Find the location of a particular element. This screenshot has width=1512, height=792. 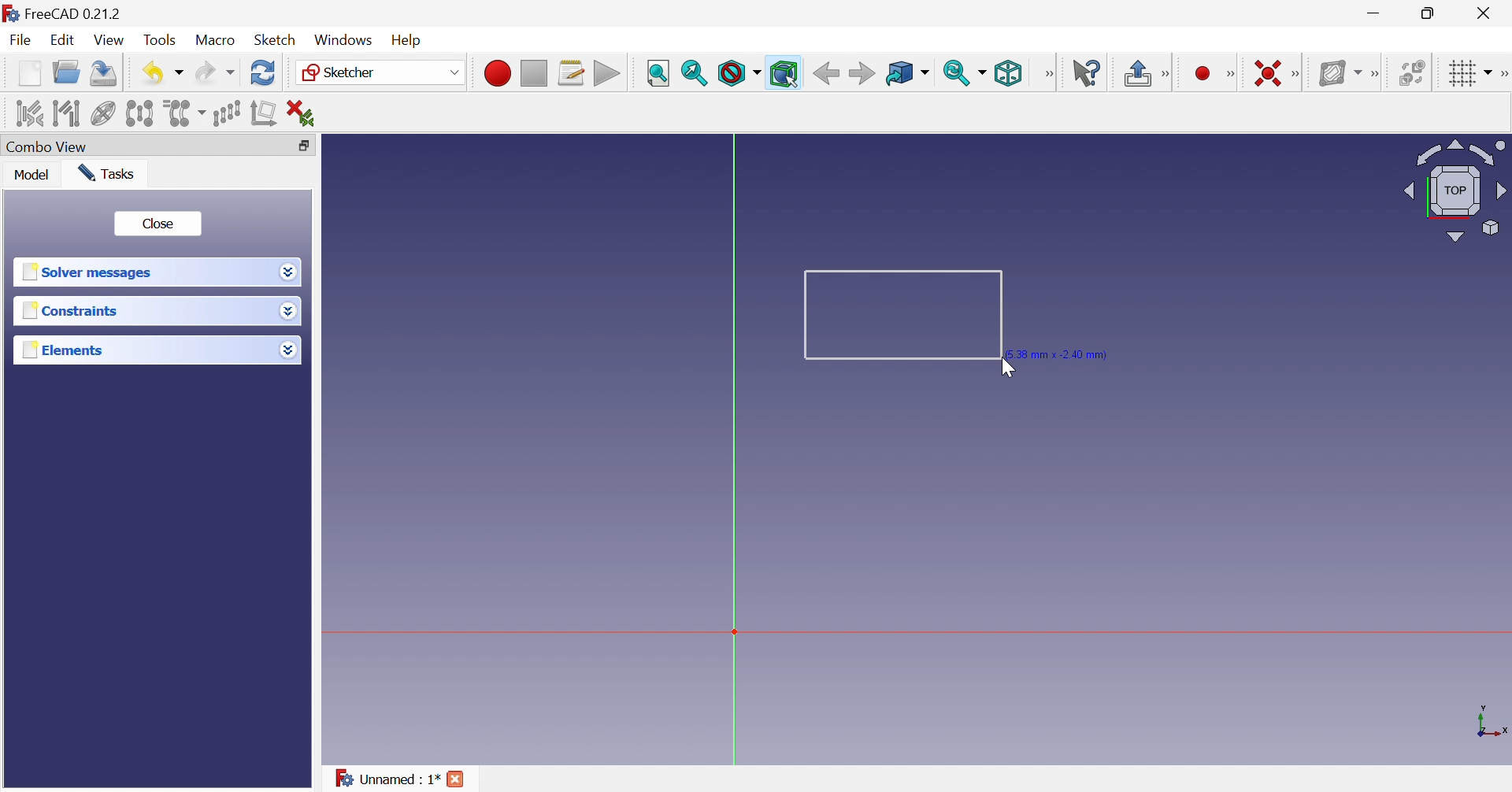

Restore down is located at coordinates (1432, 13).